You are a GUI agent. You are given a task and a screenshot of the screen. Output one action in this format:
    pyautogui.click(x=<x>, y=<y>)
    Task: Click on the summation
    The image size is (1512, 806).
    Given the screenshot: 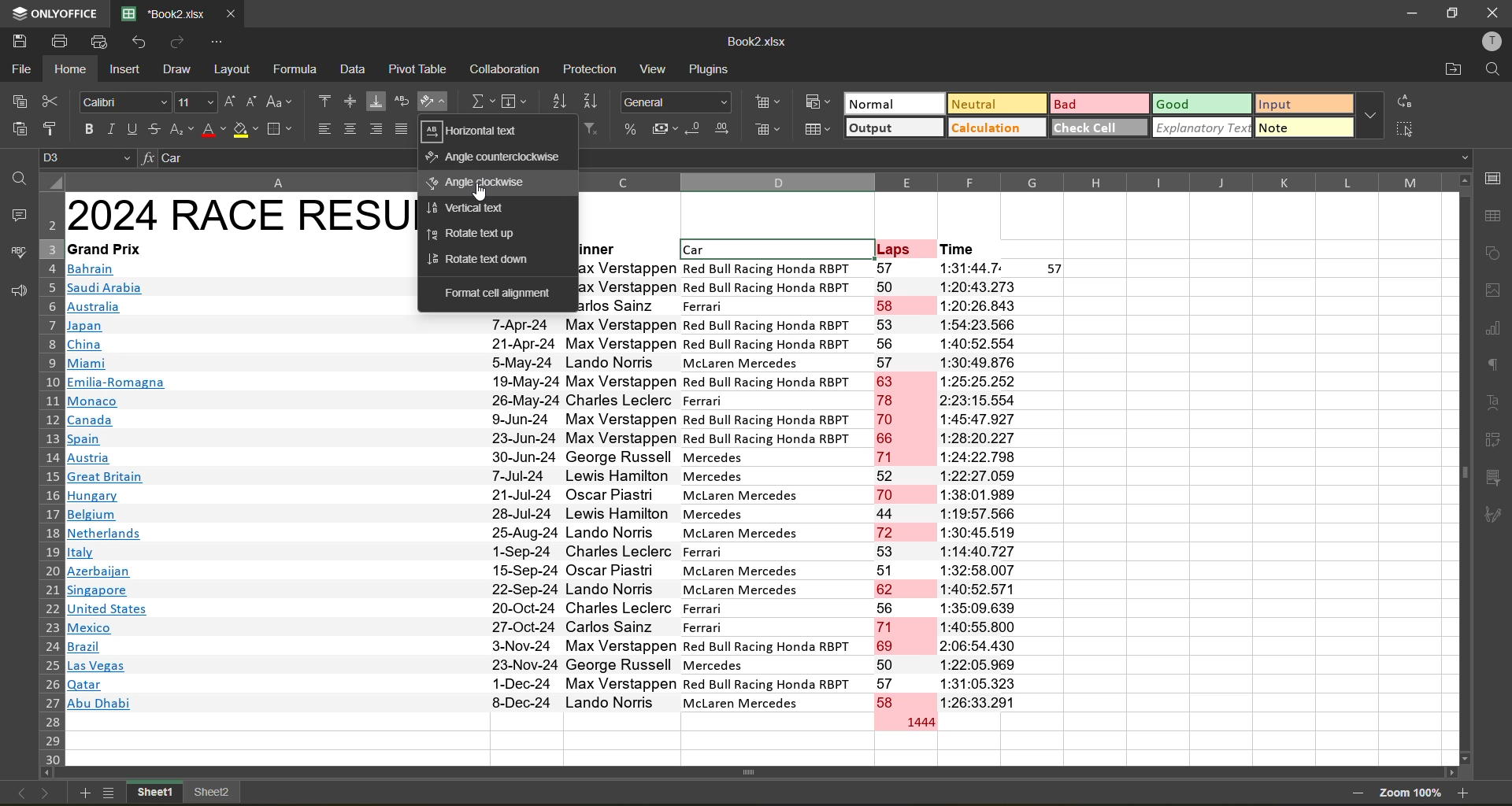 What is the action you would take?
    pyautogui.click(x=480, y=100)
    